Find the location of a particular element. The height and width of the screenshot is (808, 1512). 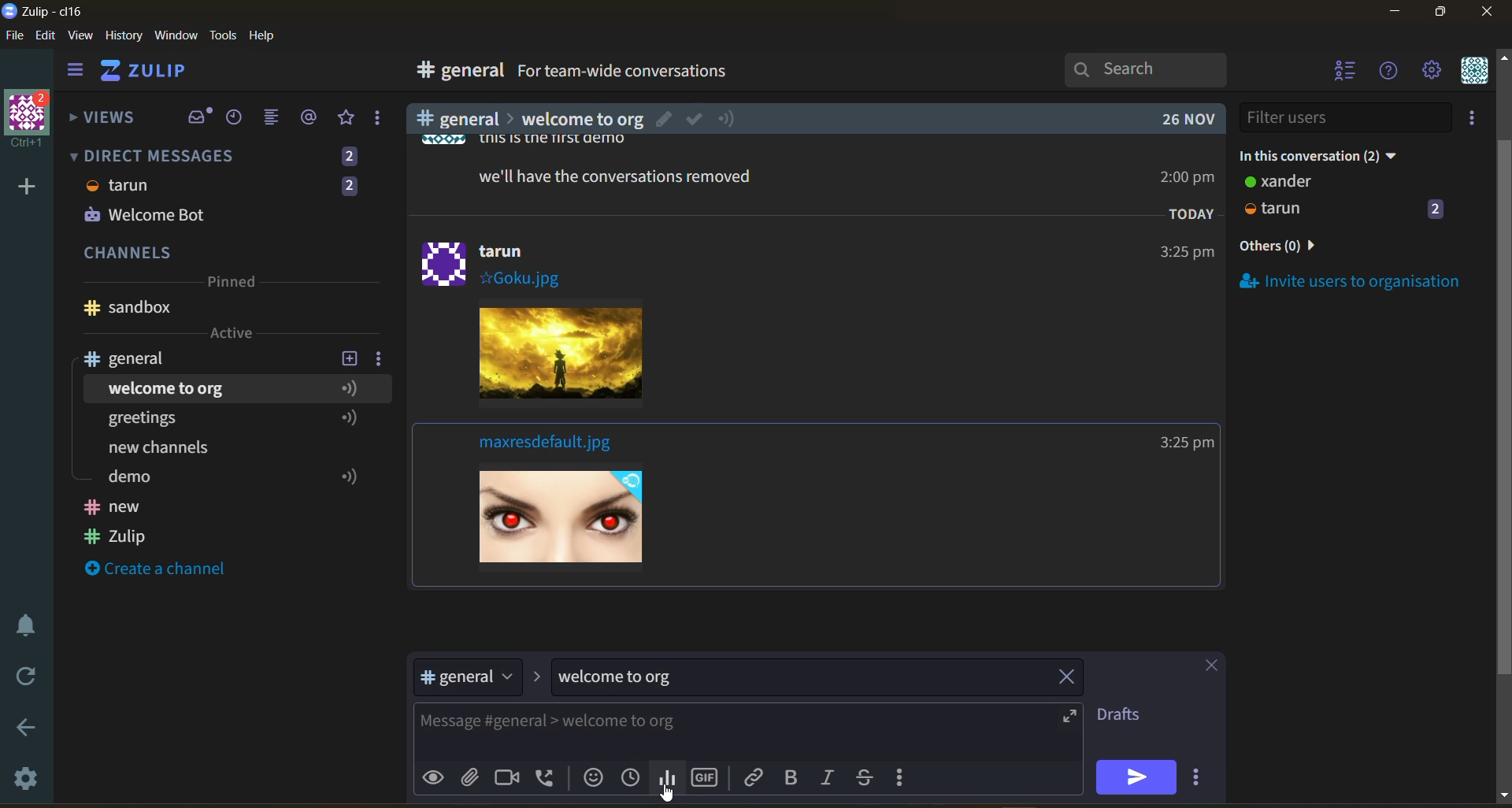

inbox is located at coordinates (199, 117).